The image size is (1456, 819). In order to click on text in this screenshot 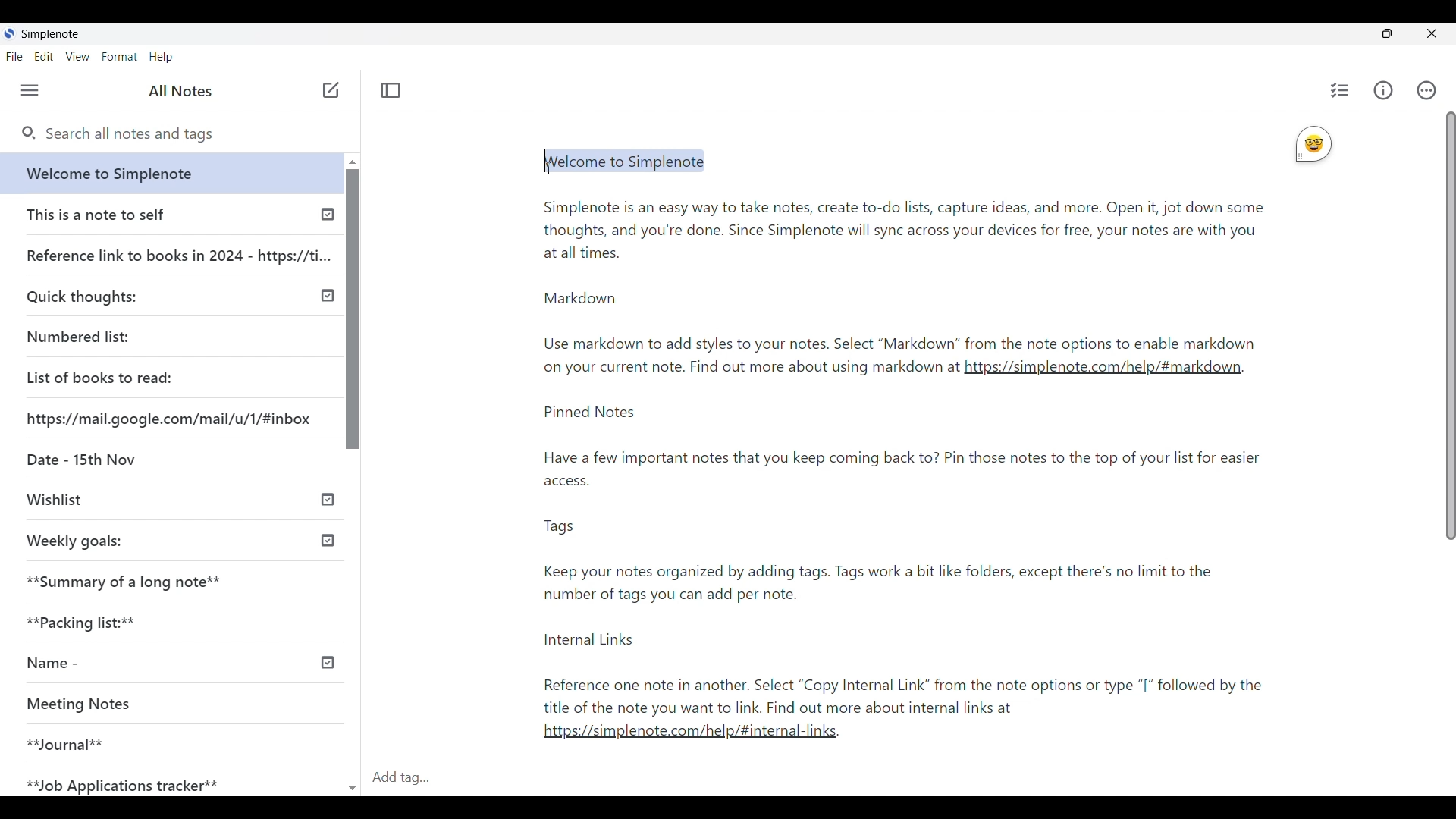, I will do `click(918, 563)`.